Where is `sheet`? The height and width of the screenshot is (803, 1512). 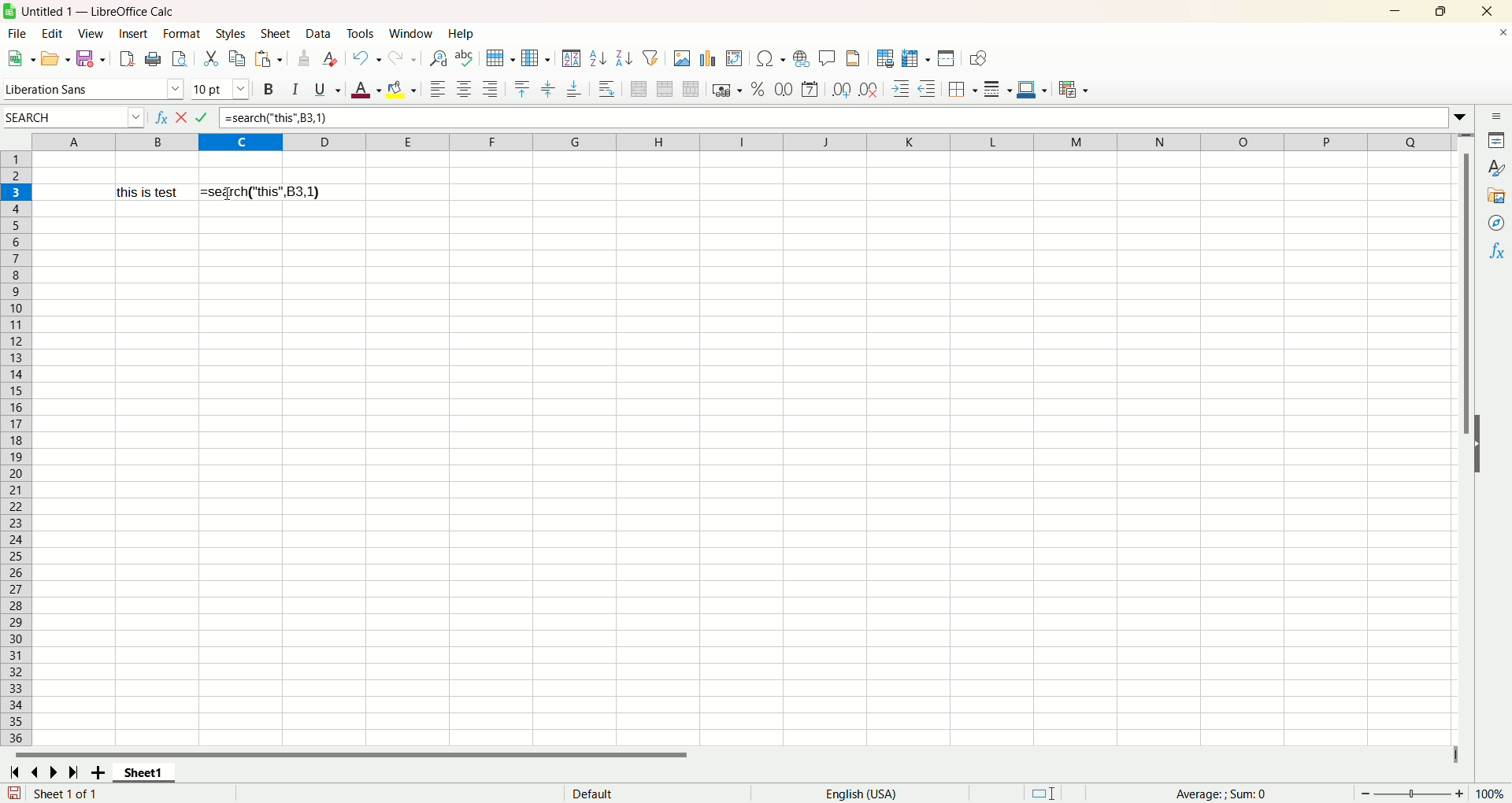 sheet is located at coordinates (277, 35).